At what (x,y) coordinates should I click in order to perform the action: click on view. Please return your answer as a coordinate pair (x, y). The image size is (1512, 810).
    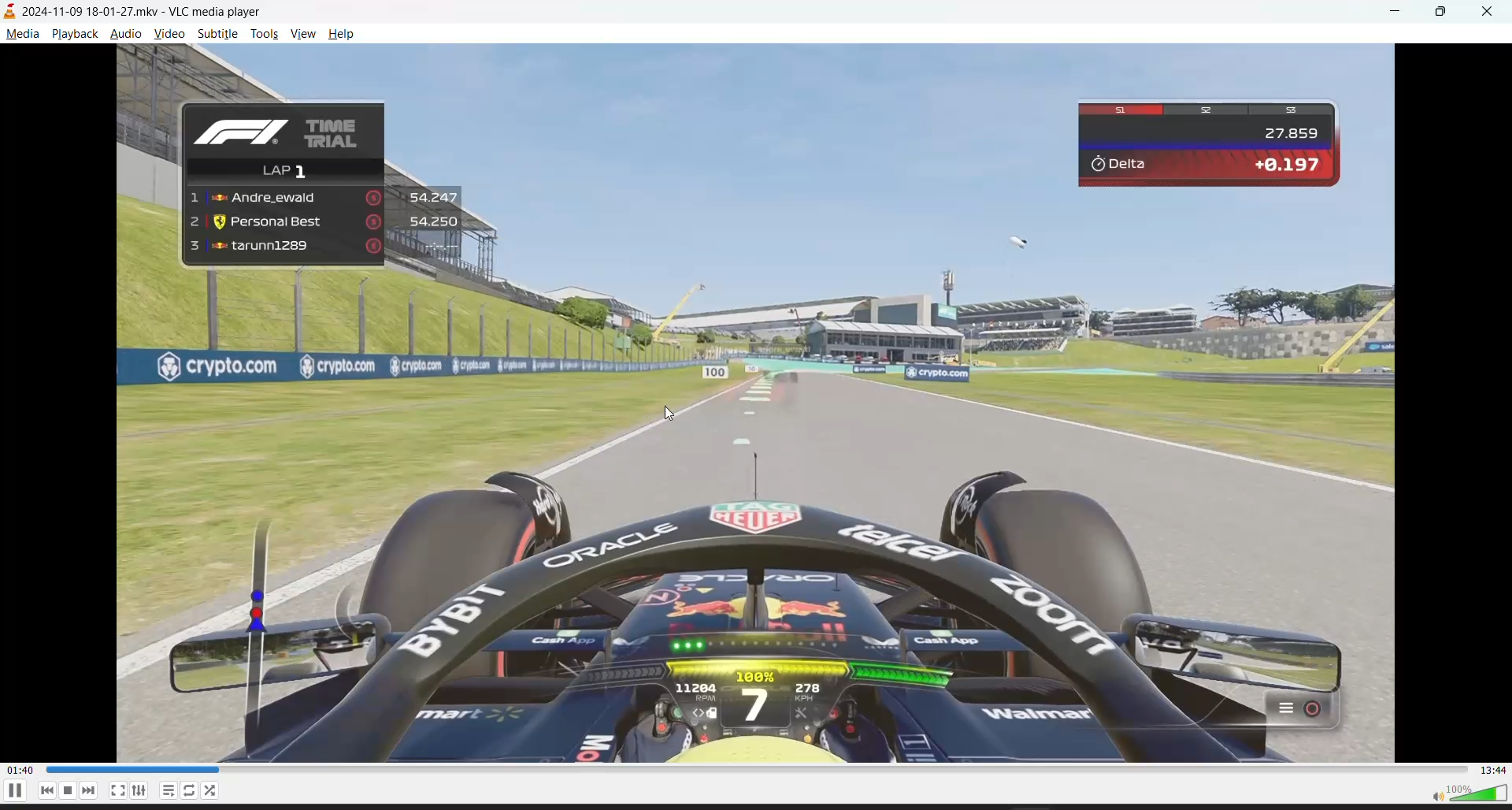
    Looking at the image, I should click on (302, 35).